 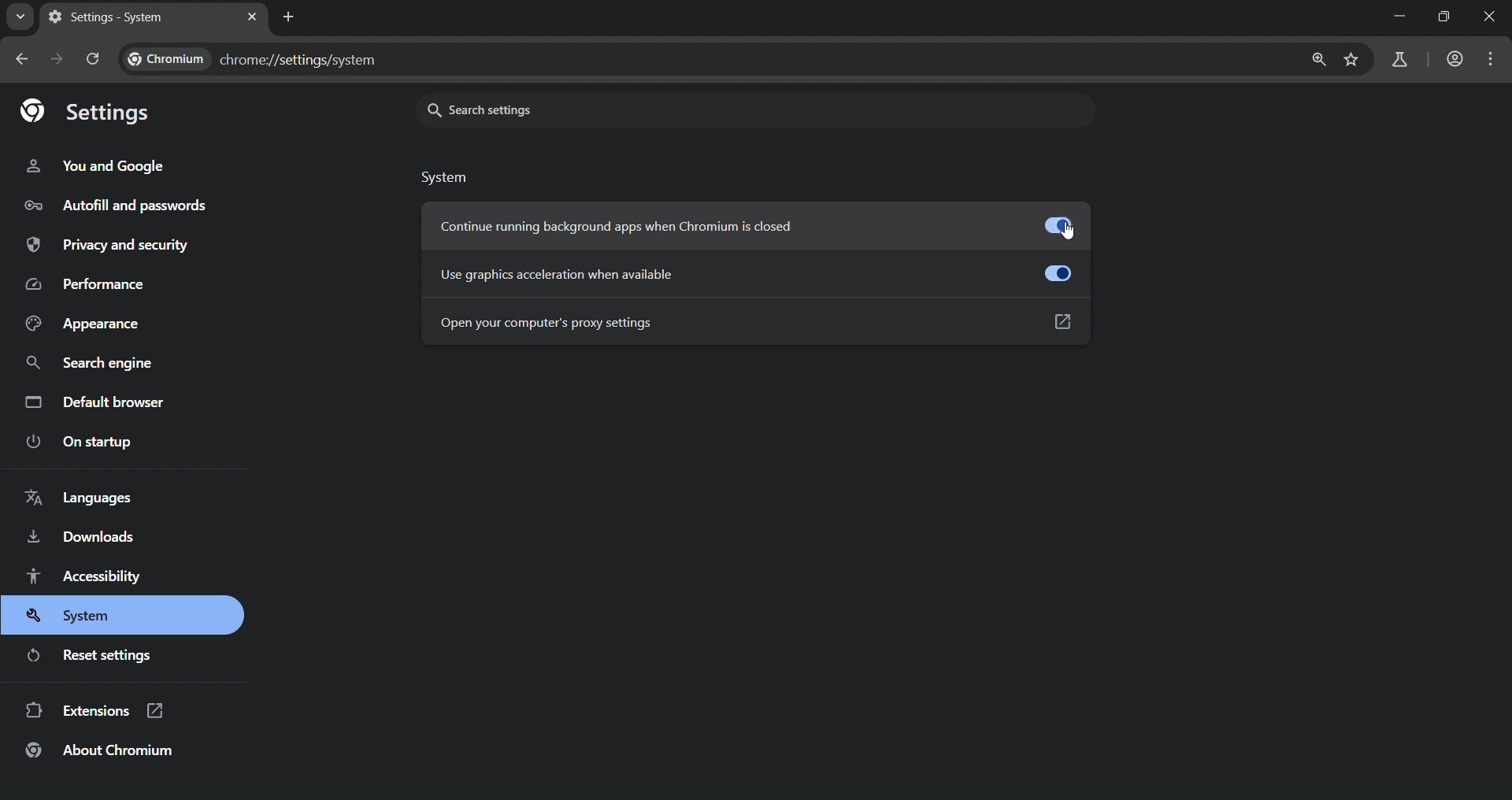 I want to click on use acceleration when available, so click(x=754, y=272).